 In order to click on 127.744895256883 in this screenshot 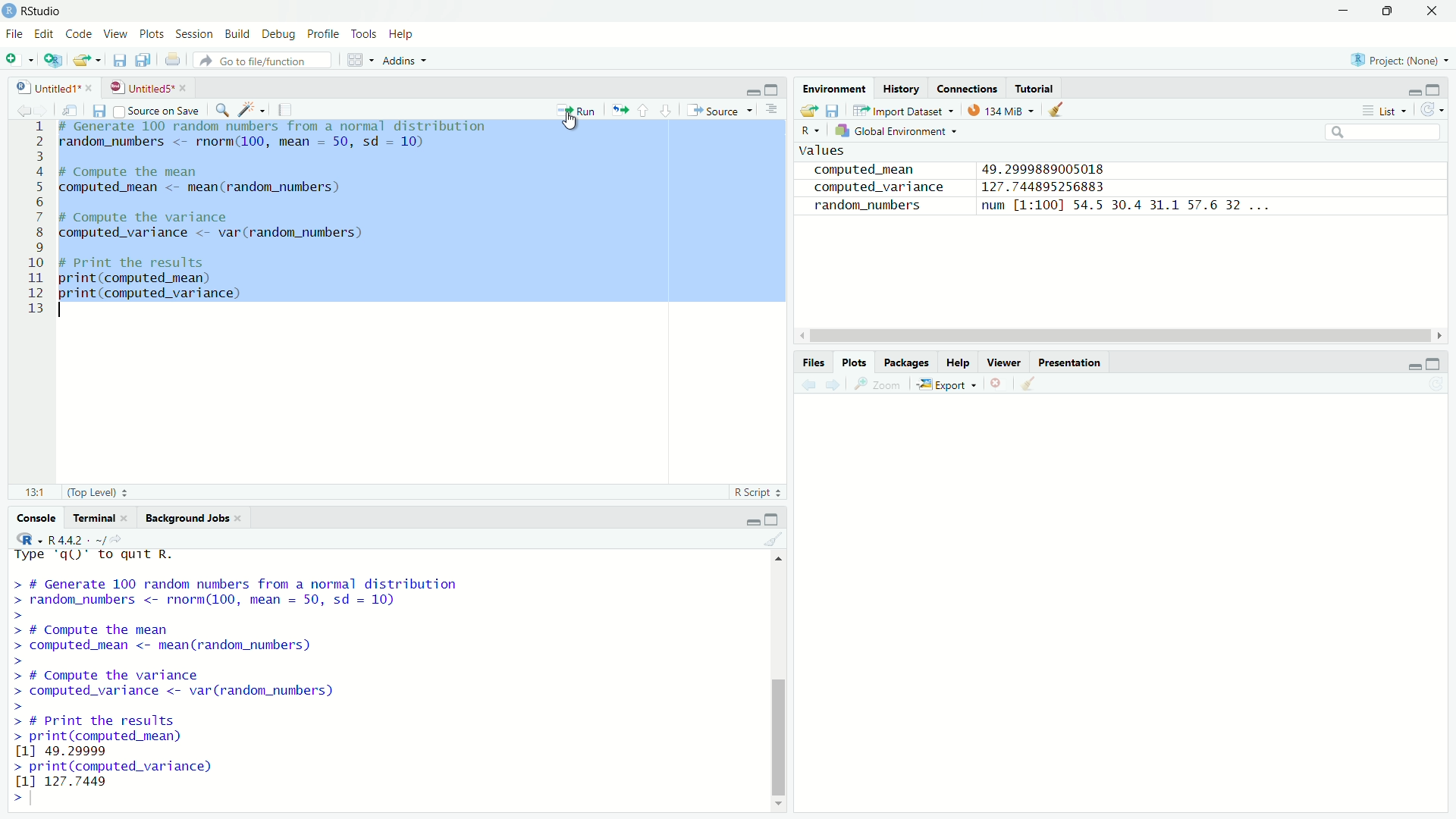, I will do `click(1048, 187)`.